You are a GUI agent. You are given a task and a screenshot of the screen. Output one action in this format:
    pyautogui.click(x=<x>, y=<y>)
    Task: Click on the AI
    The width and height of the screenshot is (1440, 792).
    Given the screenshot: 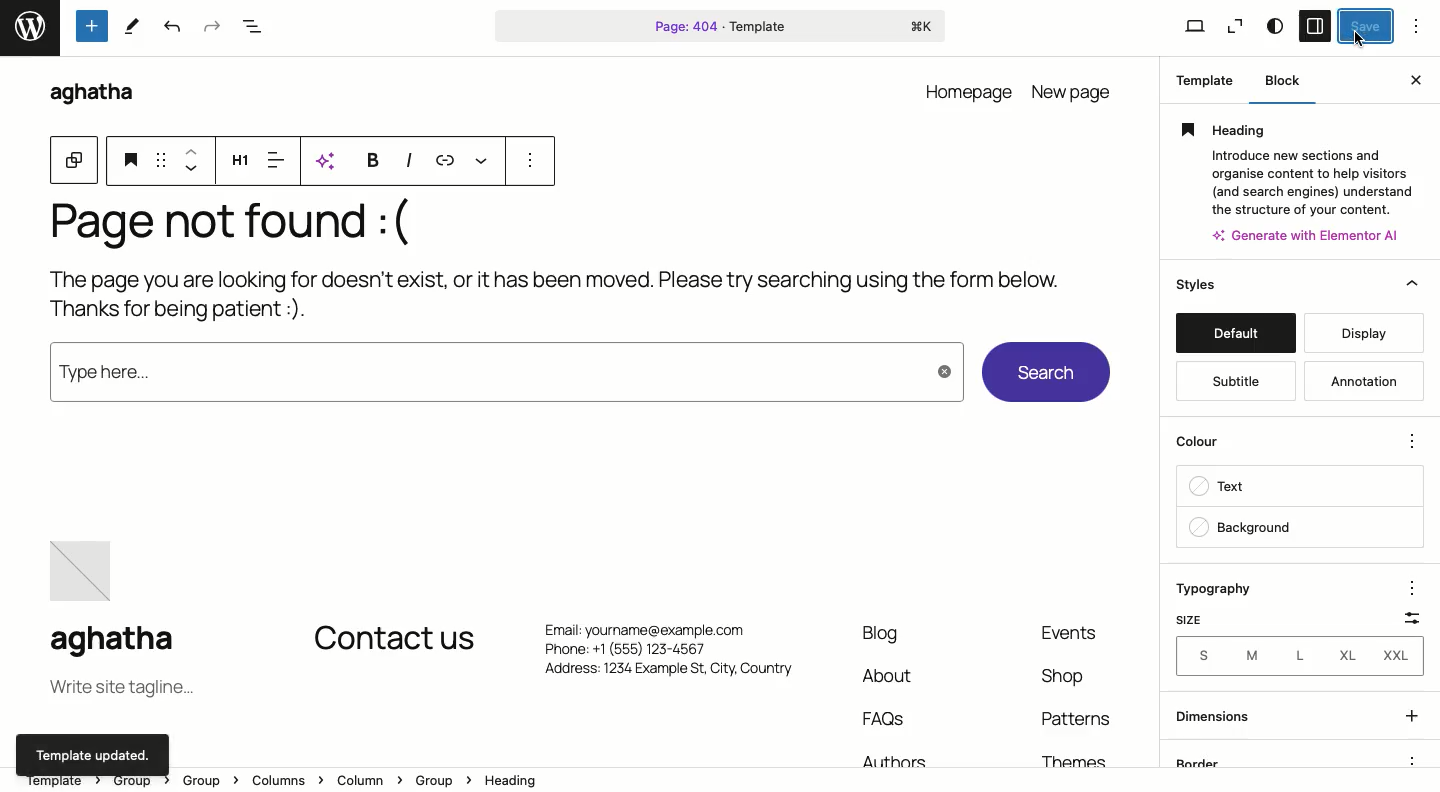 What is the action you would take?
    pyautogui.click(x=327, y=160)
    